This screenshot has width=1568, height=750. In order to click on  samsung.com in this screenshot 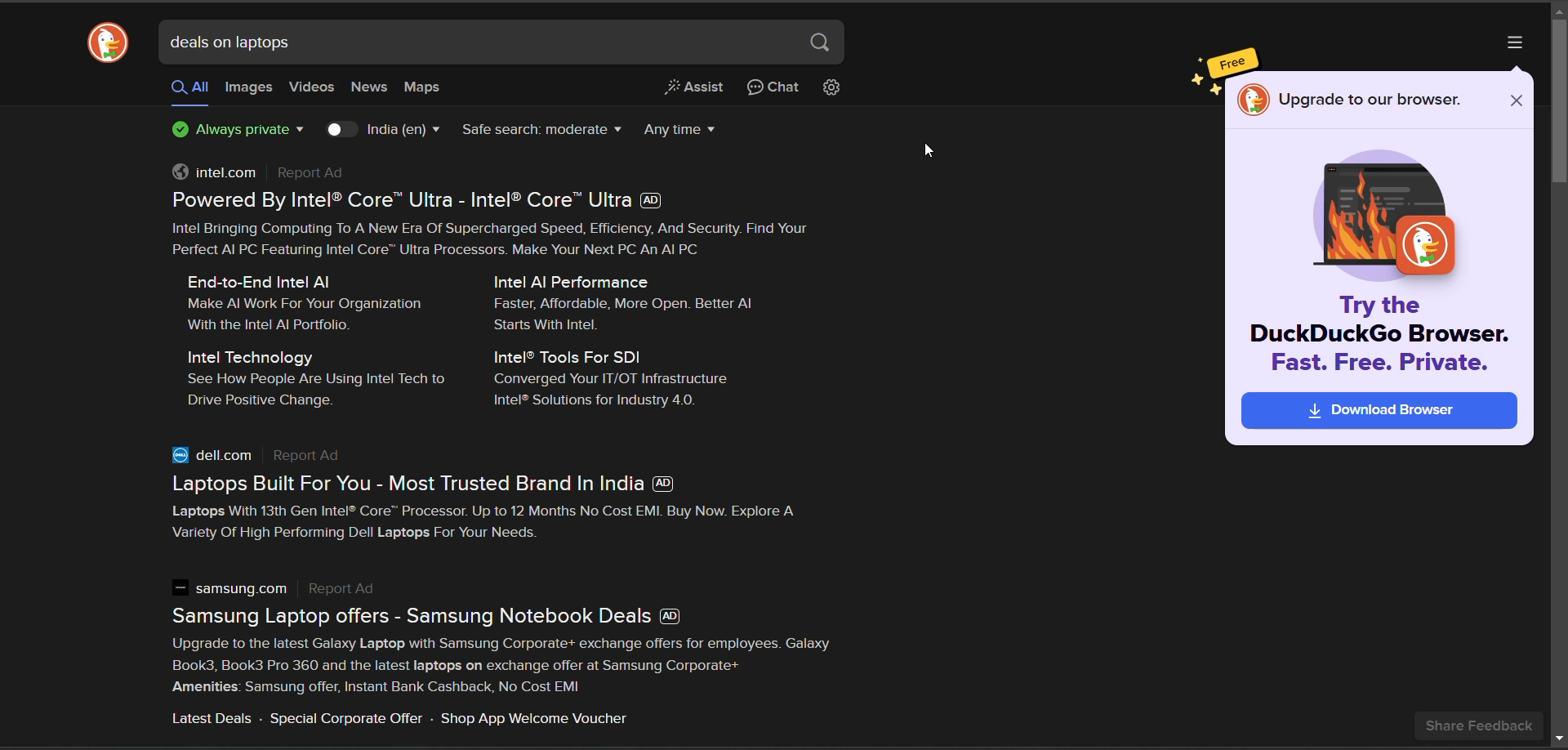, I will do `click(283, 591)`.